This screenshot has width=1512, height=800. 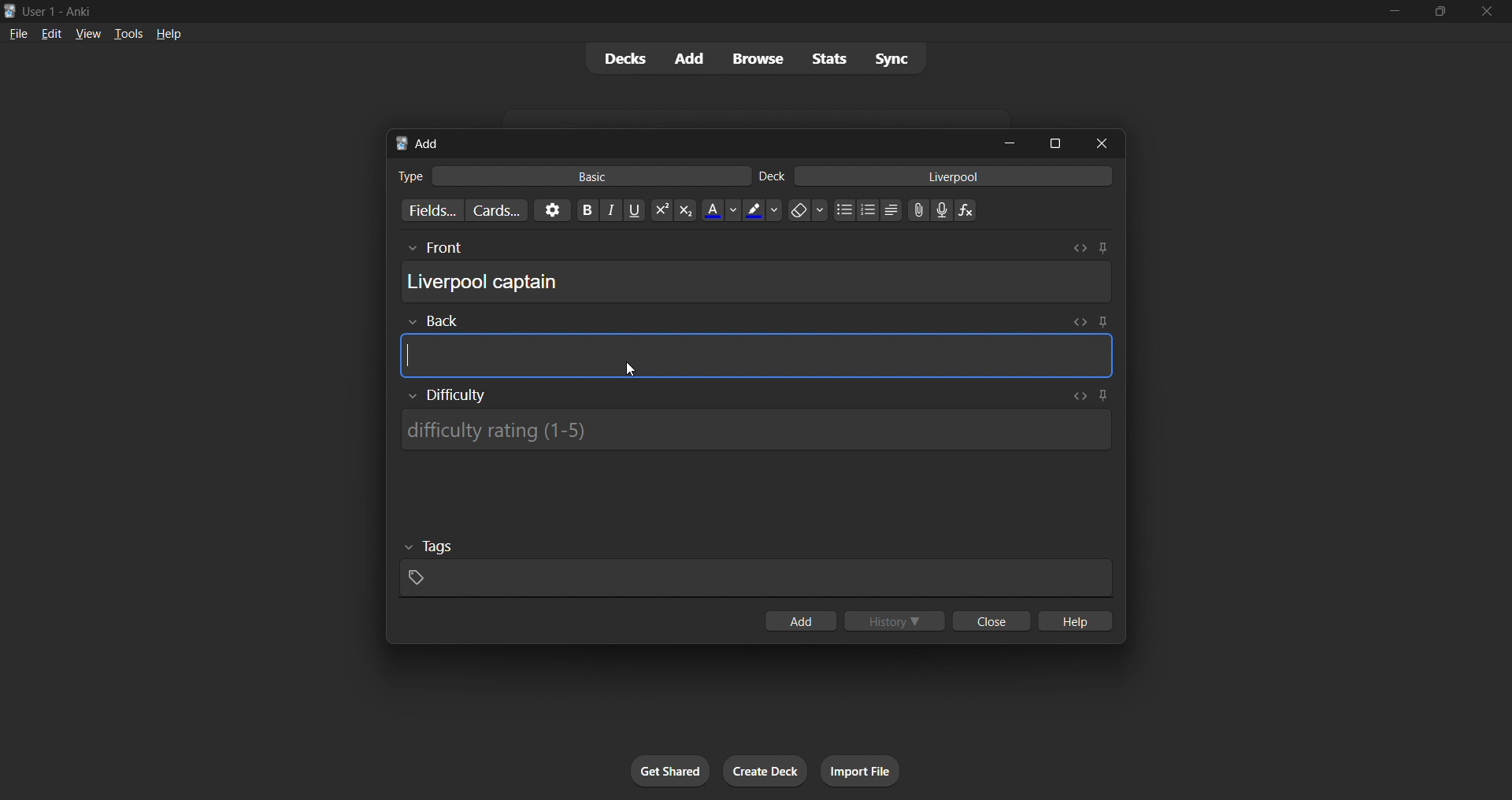 What do you see at coordinates (954, 176) in the screenshot?
I see `card deck input` at bounding box center [954, 176].